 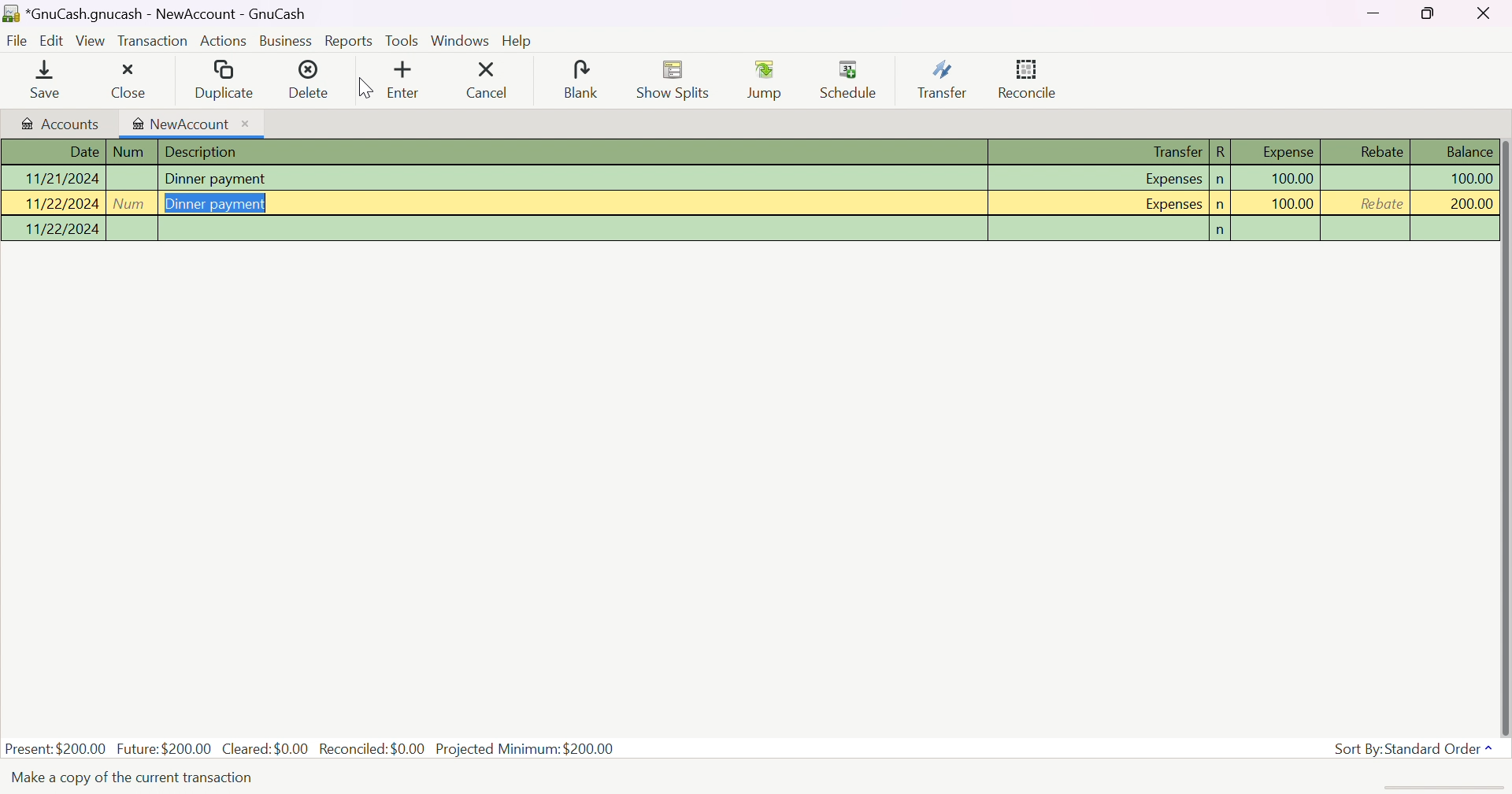 What do you see at coordinates (285, 41) in the screenshot?
I see `Business` at bounding box center [285, 41].